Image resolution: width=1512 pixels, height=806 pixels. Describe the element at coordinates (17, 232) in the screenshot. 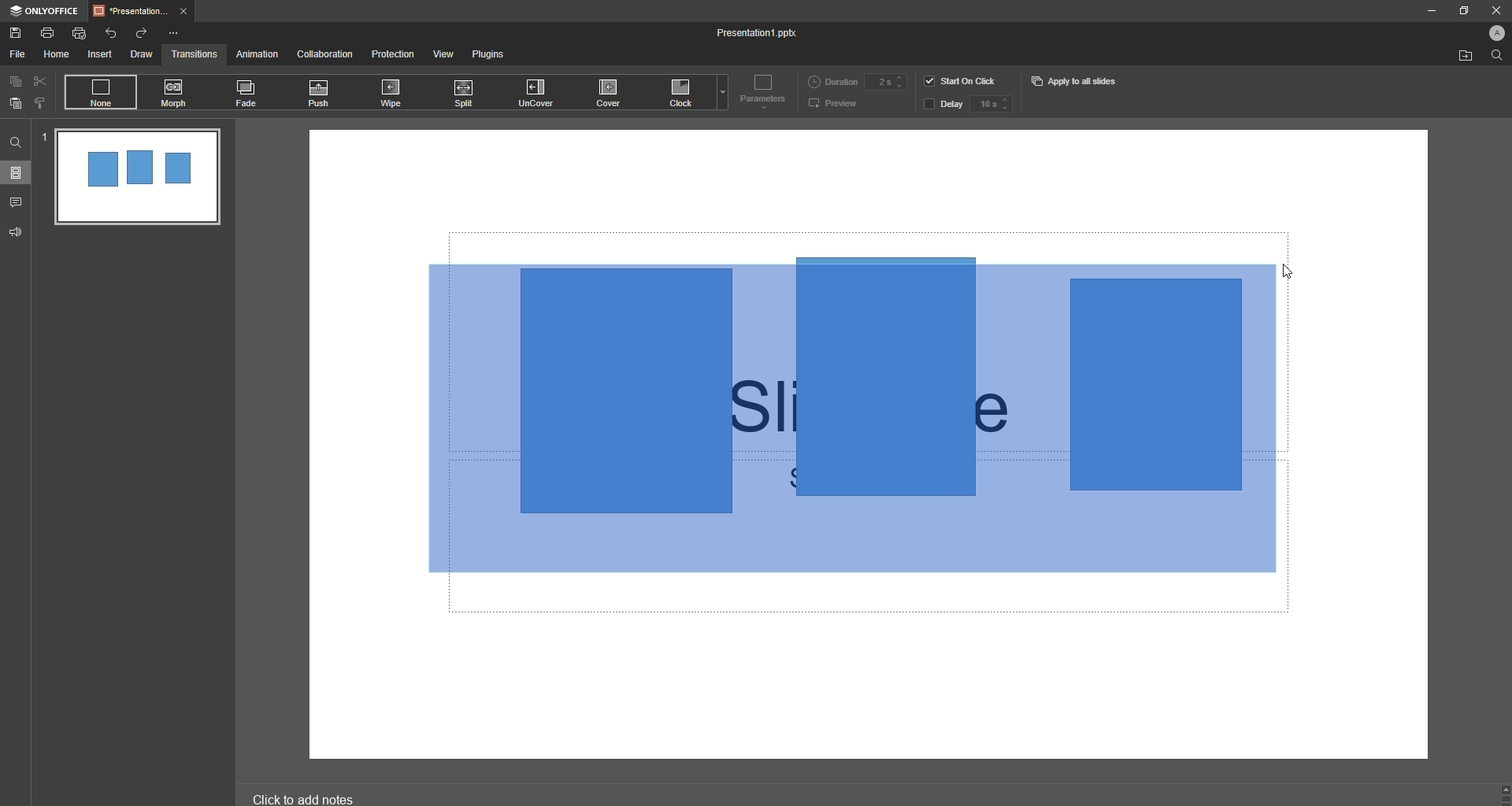

I see `Feedback` at that location.